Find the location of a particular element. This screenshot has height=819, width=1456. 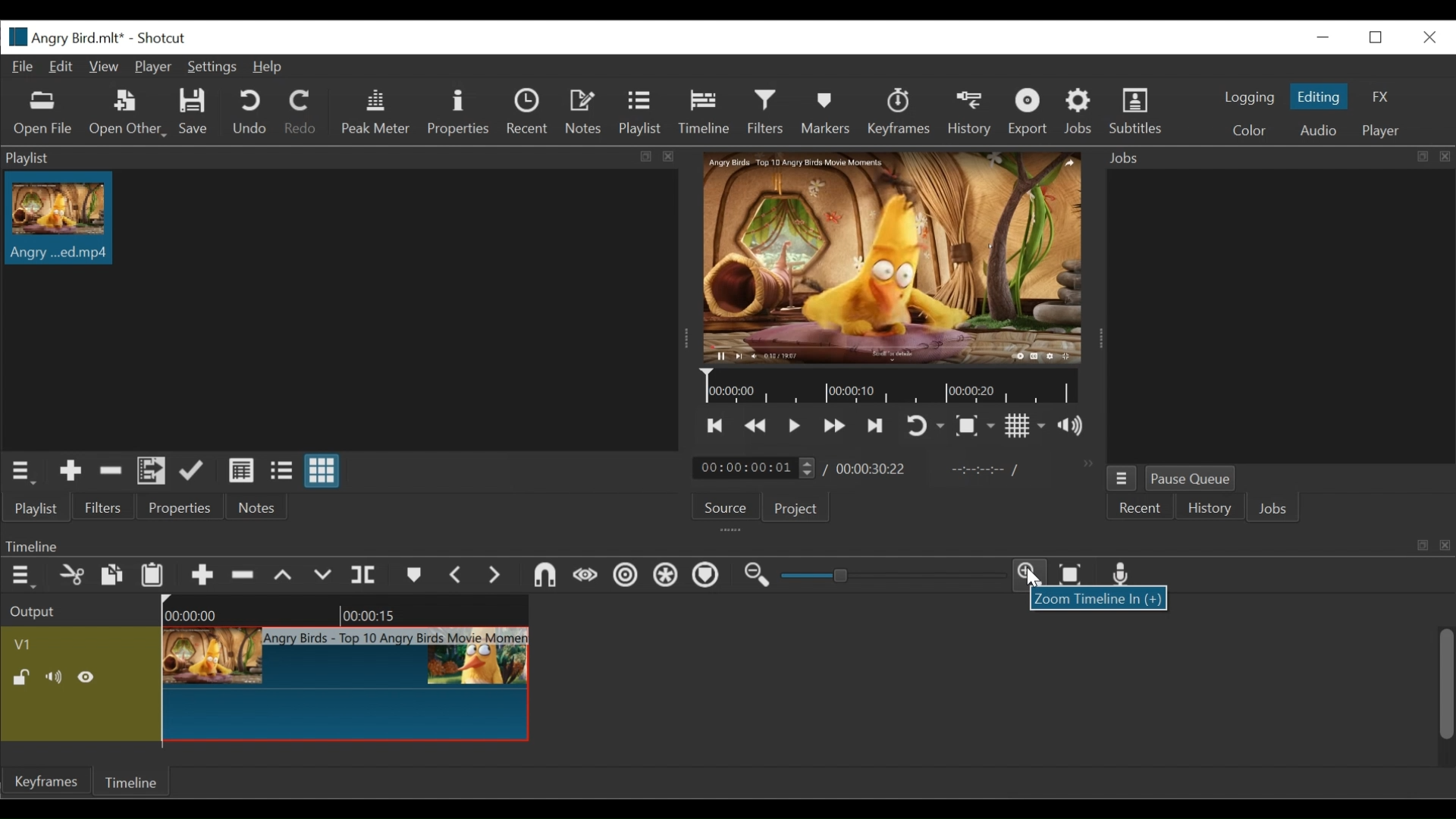

Properties is located at coordinates (457, 113).